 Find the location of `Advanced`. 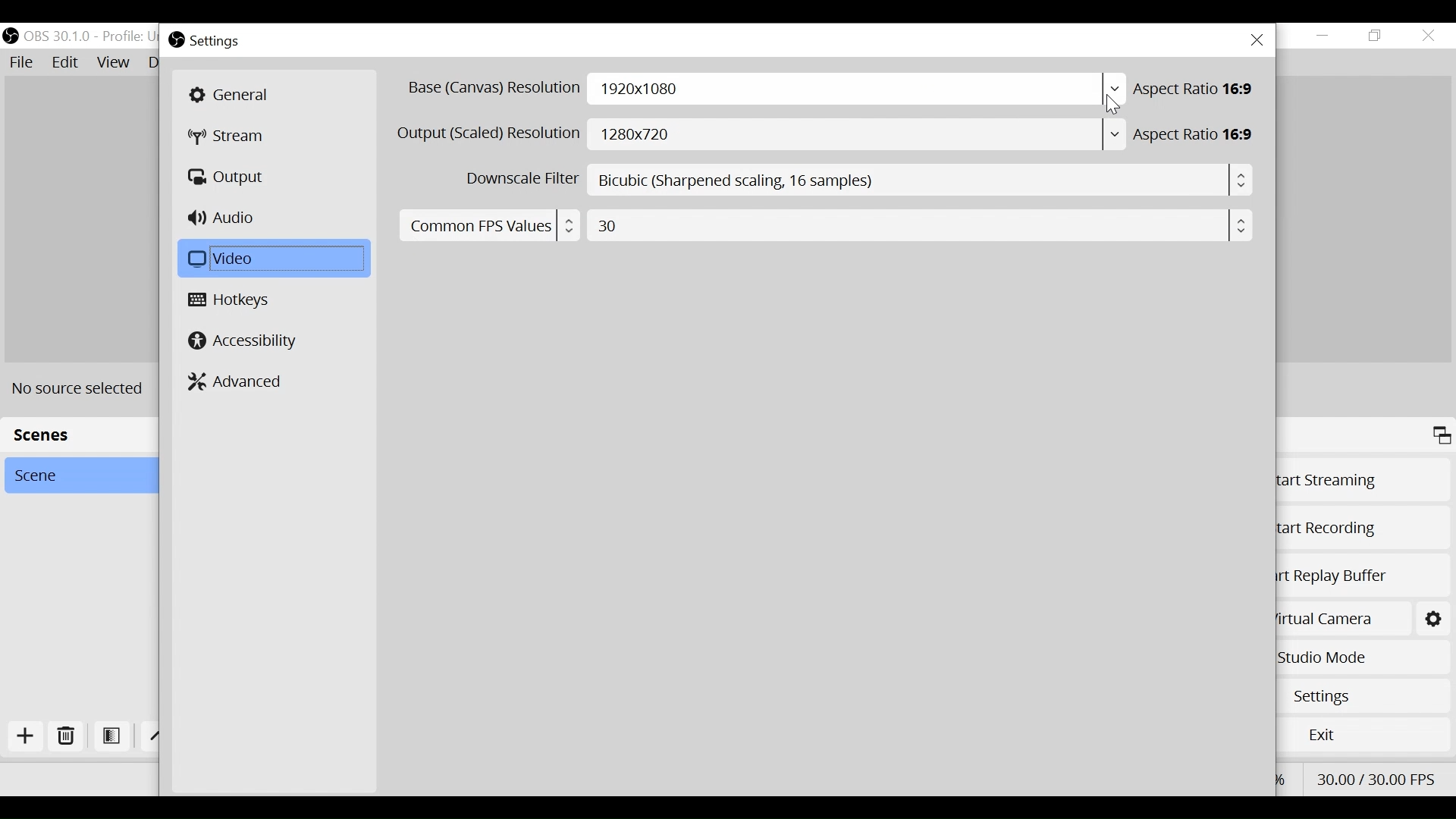

Advanced is located at coordinates (237, 381).